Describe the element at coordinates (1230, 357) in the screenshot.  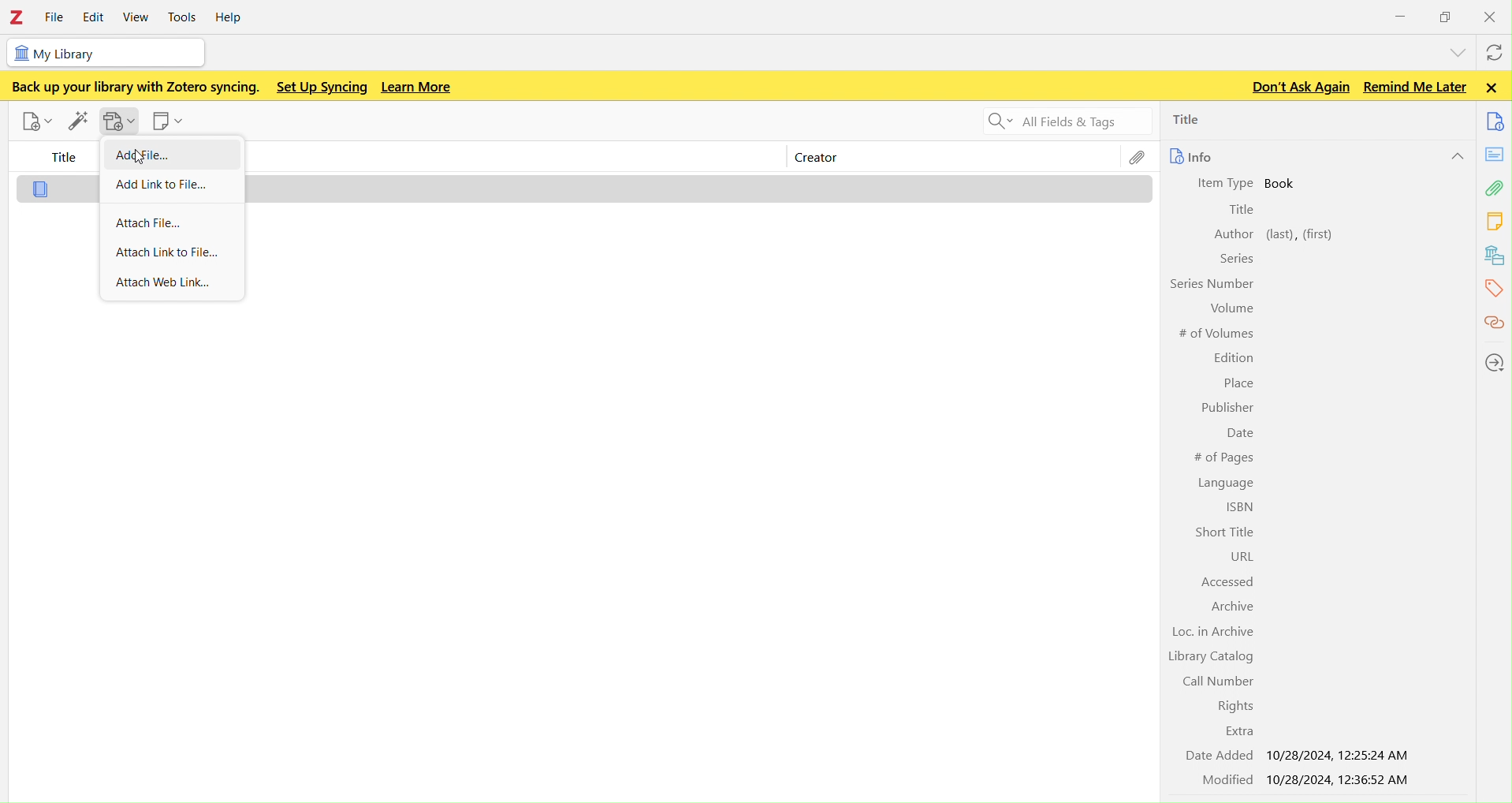
I see `Edition` at that location.